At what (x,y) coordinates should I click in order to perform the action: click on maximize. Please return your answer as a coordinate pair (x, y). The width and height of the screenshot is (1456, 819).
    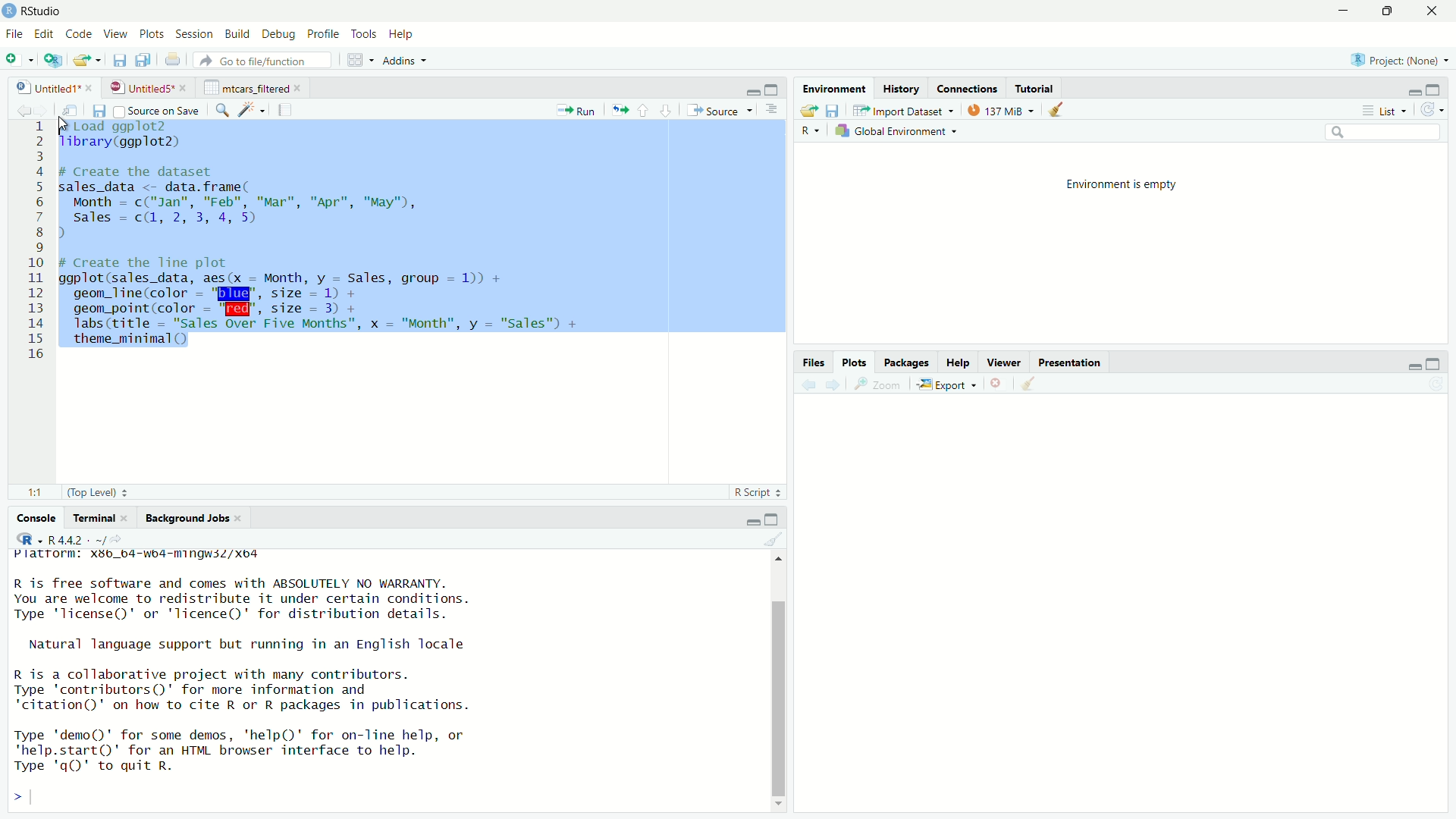
    Looking at the image, I should click on (1437, 89).